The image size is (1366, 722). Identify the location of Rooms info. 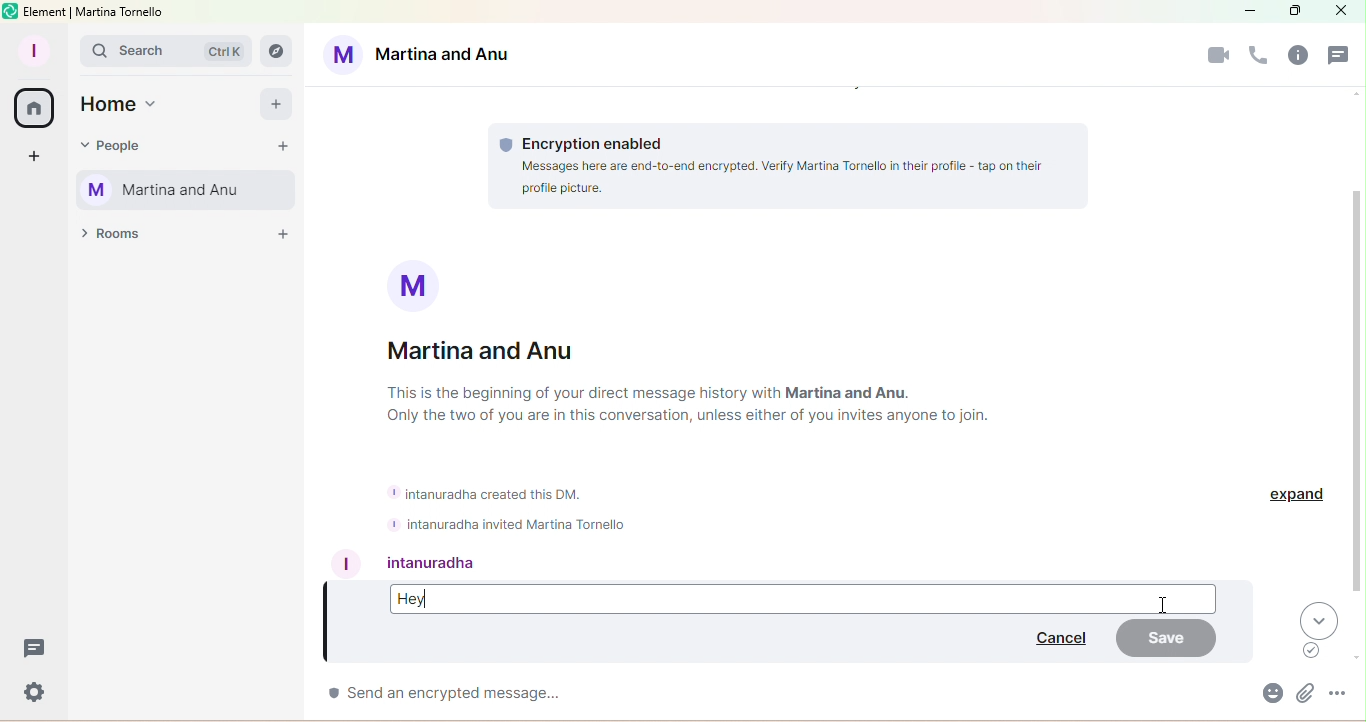
(1302, 58).